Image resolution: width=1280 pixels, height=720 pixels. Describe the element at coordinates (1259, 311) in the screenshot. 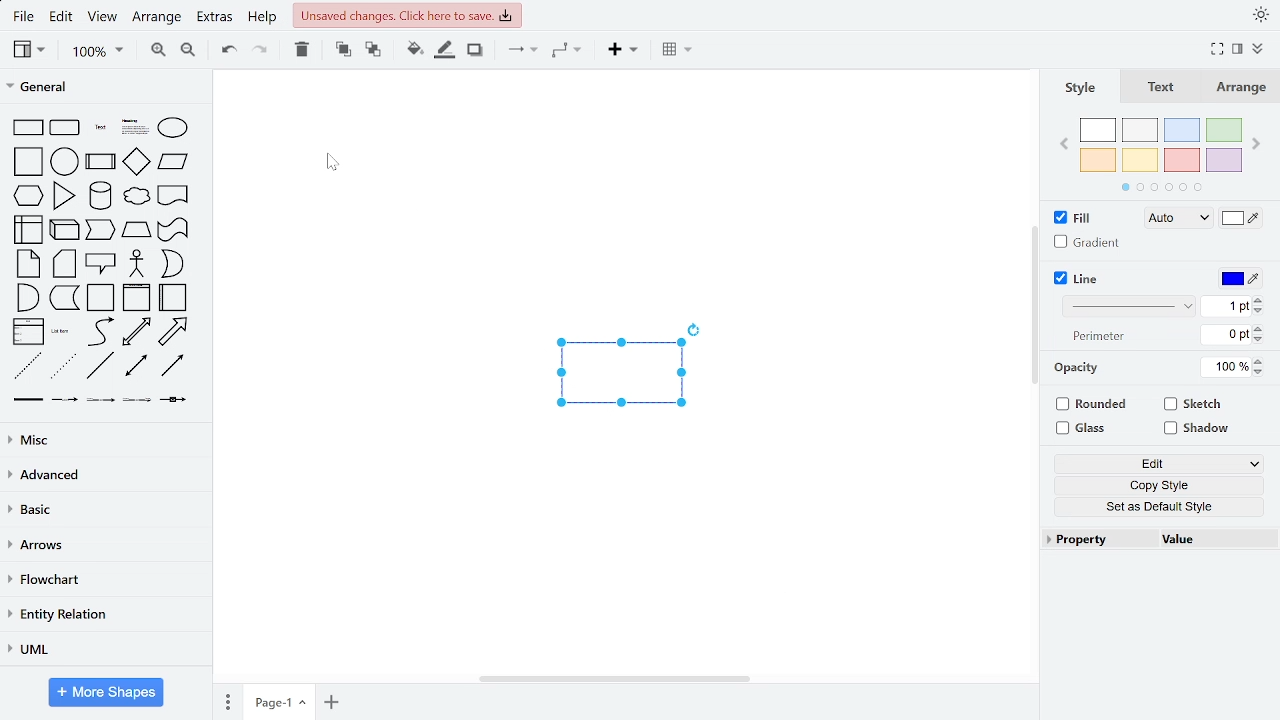

I see `decrease line width` at that location.